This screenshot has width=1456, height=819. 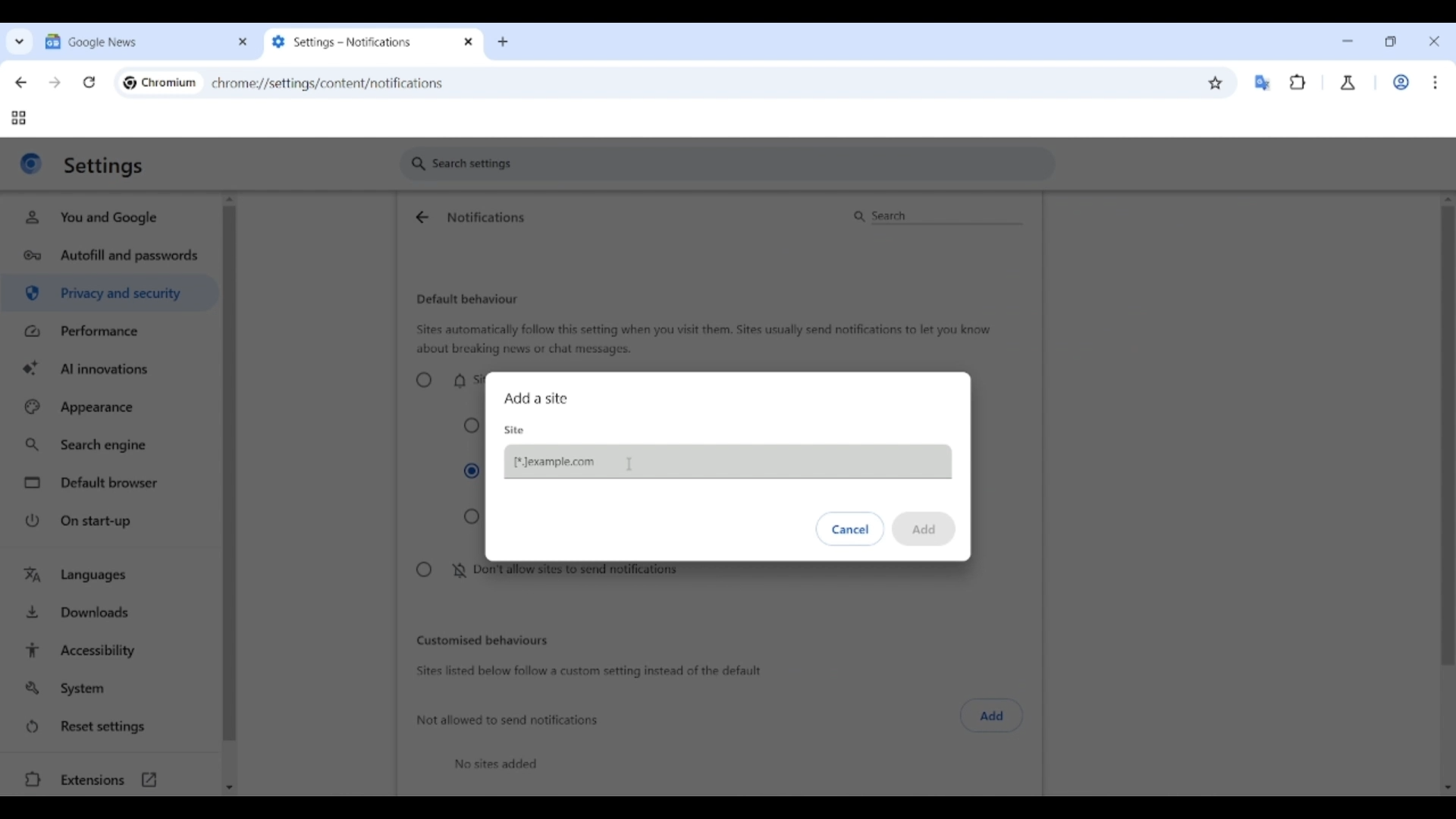 What do you see at coordinates (135, 41) in the screenshot?
I see `Tab 1` at bounding box center [135, 41].